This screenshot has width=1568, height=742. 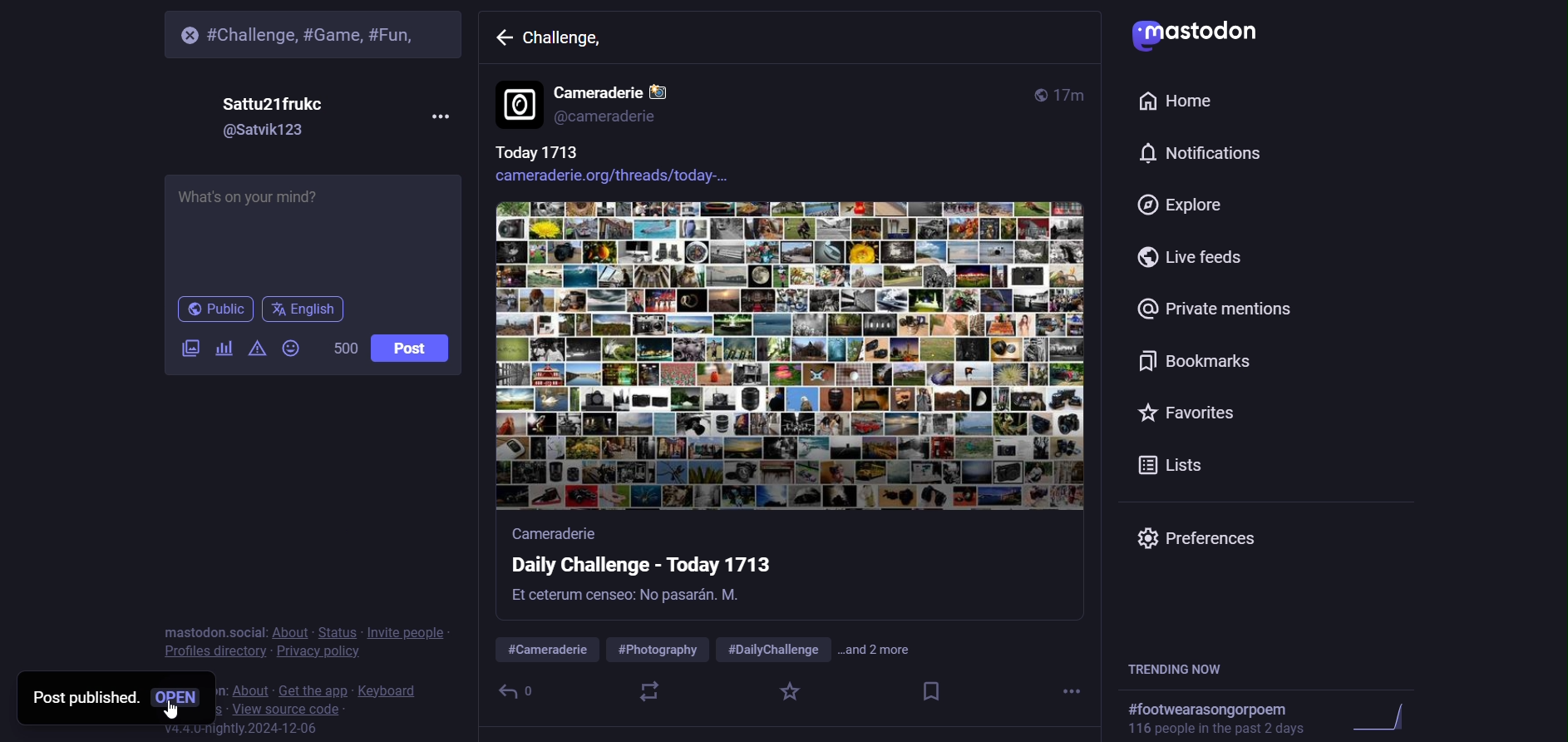 What do you see at coordinates (225, 730) in the screenshot?
I see `v4.4.0-nightly.2024-12-06` at bounding box center [225, 730].